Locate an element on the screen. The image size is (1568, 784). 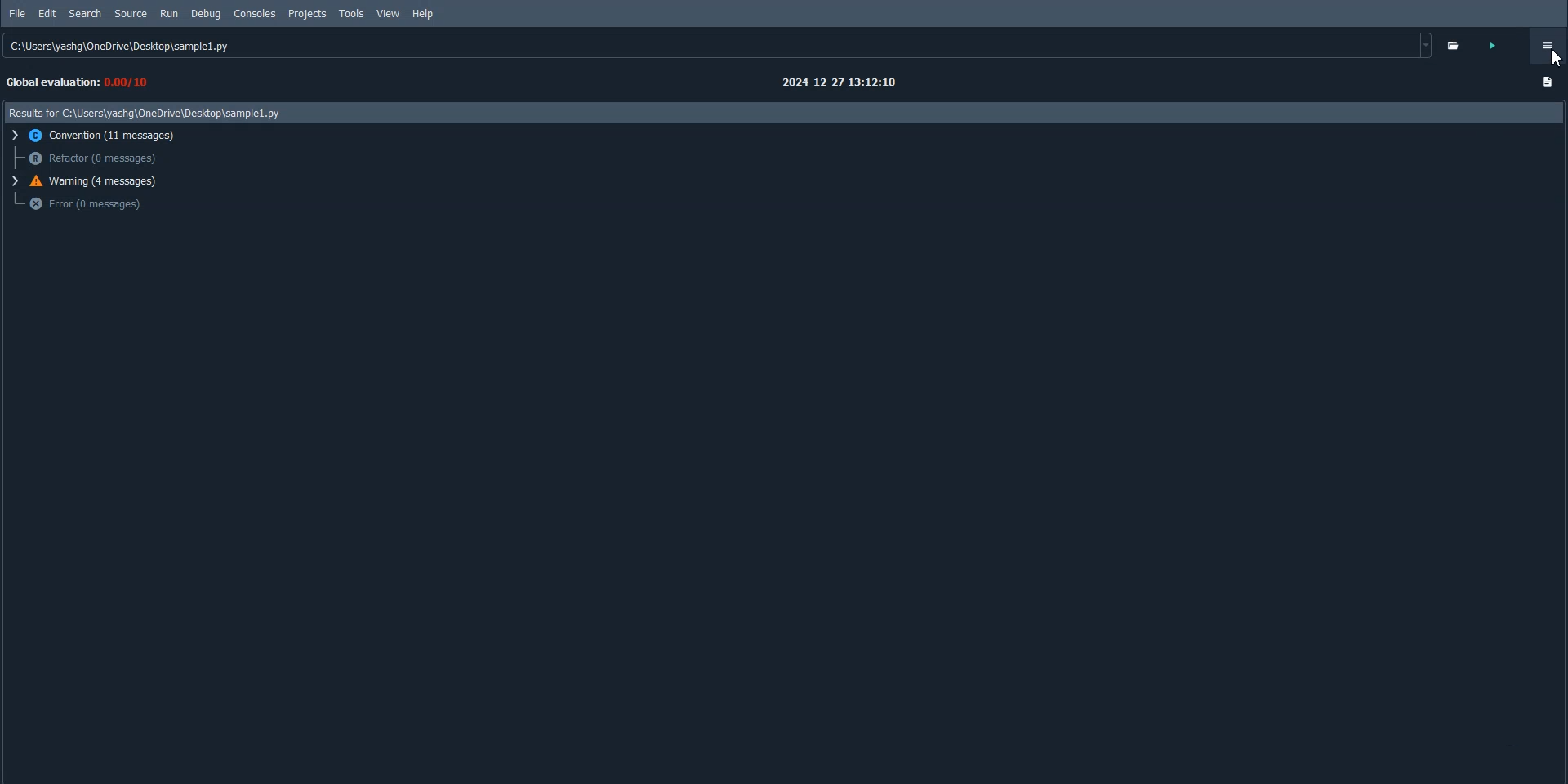
Projects is located at coordinates (307, 14).